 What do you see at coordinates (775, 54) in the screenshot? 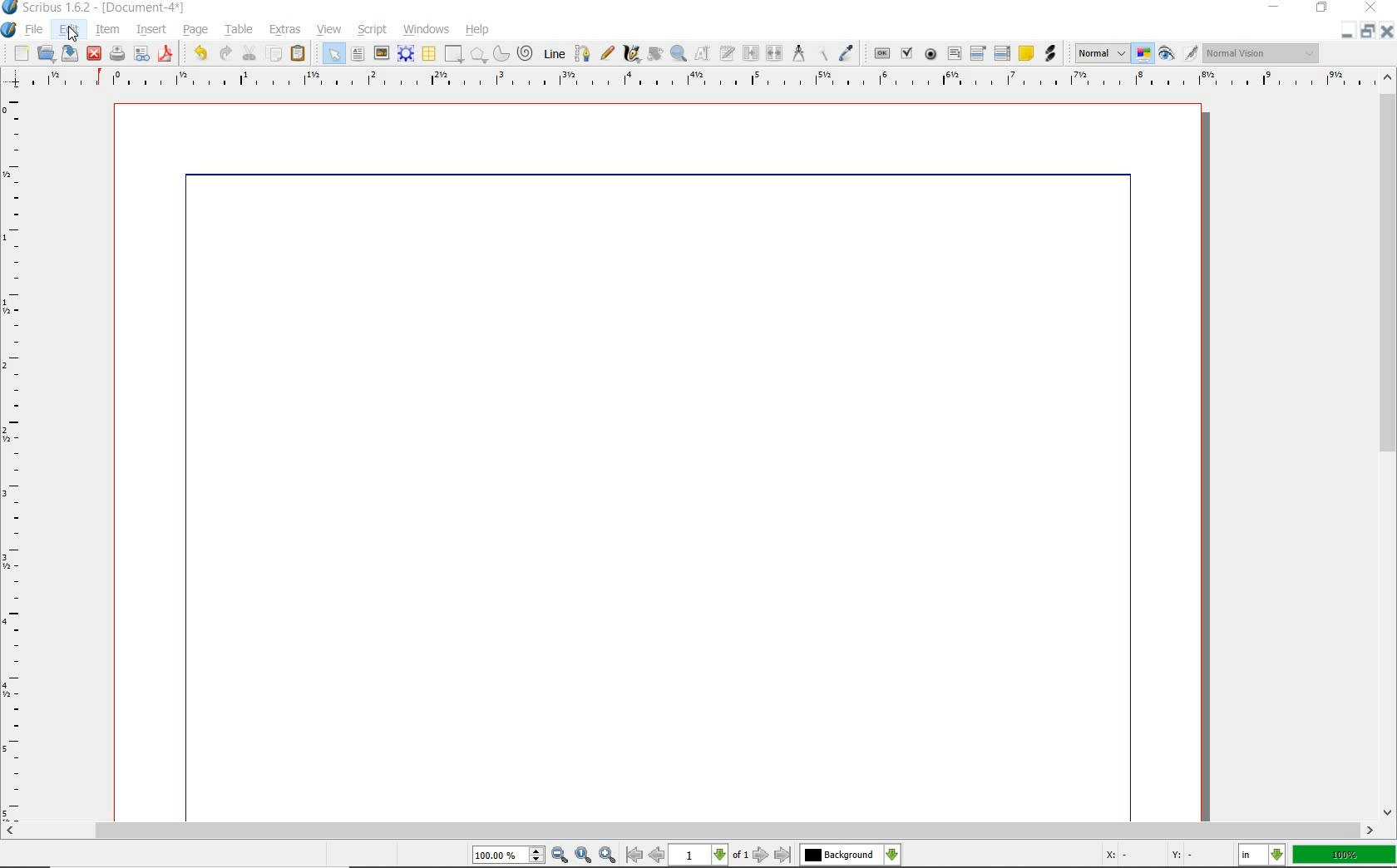
I see `unlink text frames` at bounding box center [775, 54].